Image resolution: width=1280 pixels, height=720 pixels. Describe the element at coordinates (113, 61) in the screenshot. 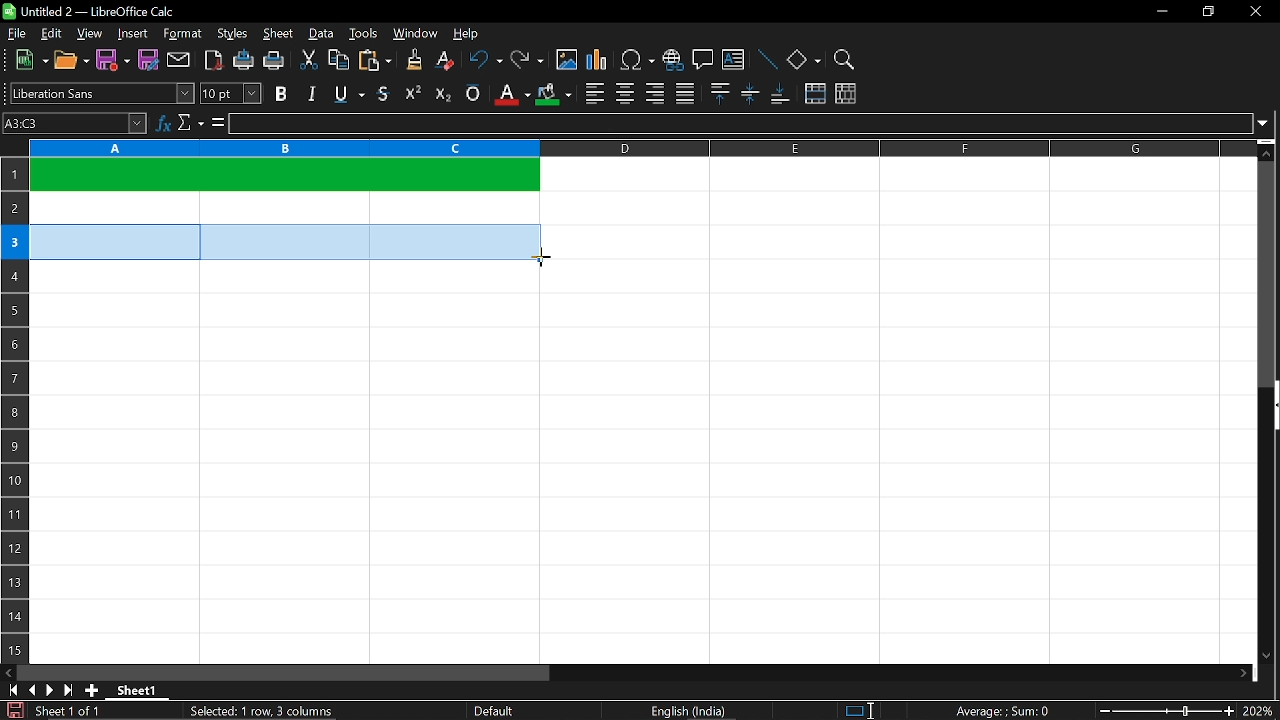

I see `save` at that location.